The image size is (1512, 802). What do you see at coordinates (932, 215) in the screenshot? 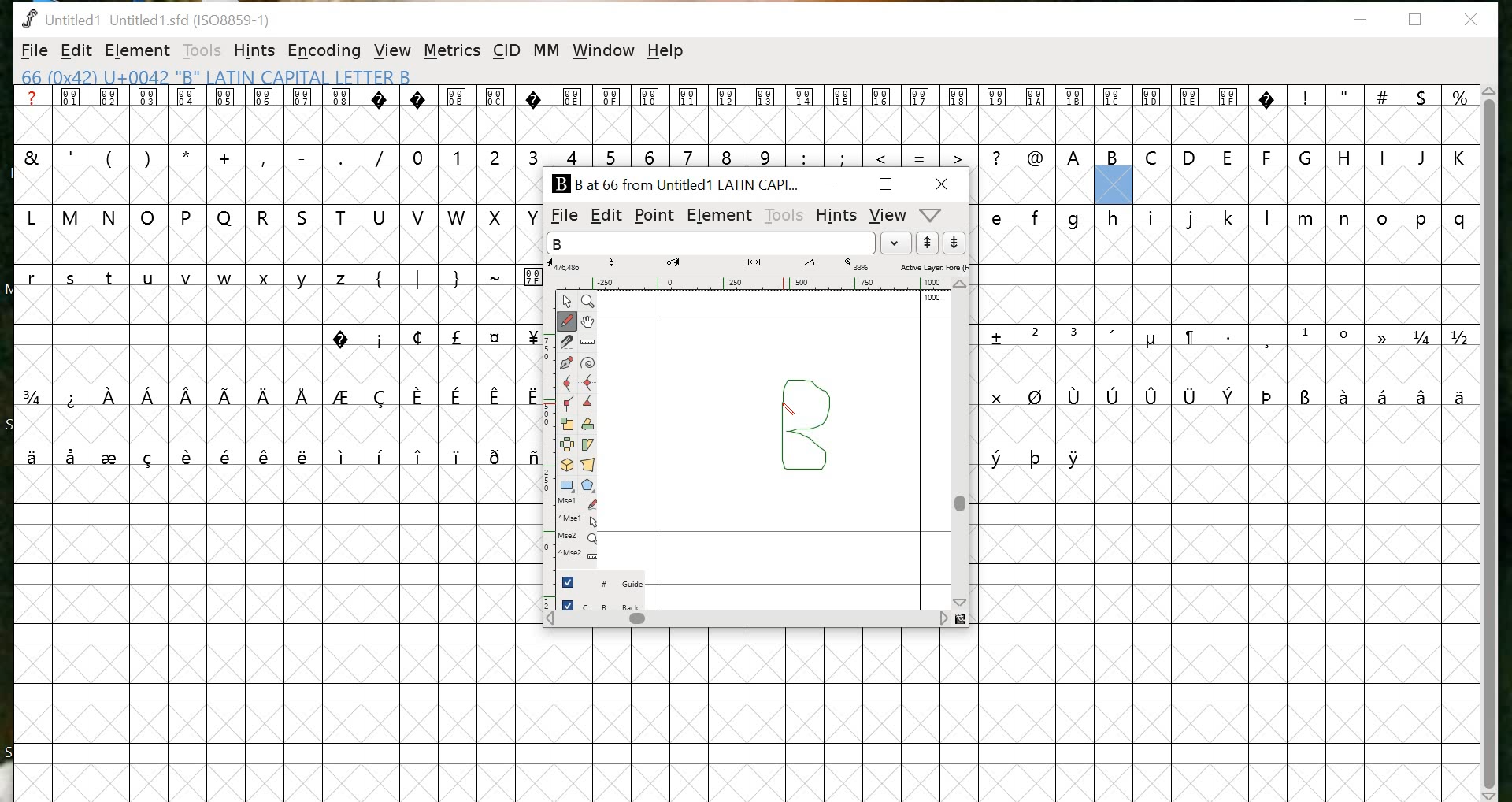
I see `metrics window help` at bounding box center [932, 215].